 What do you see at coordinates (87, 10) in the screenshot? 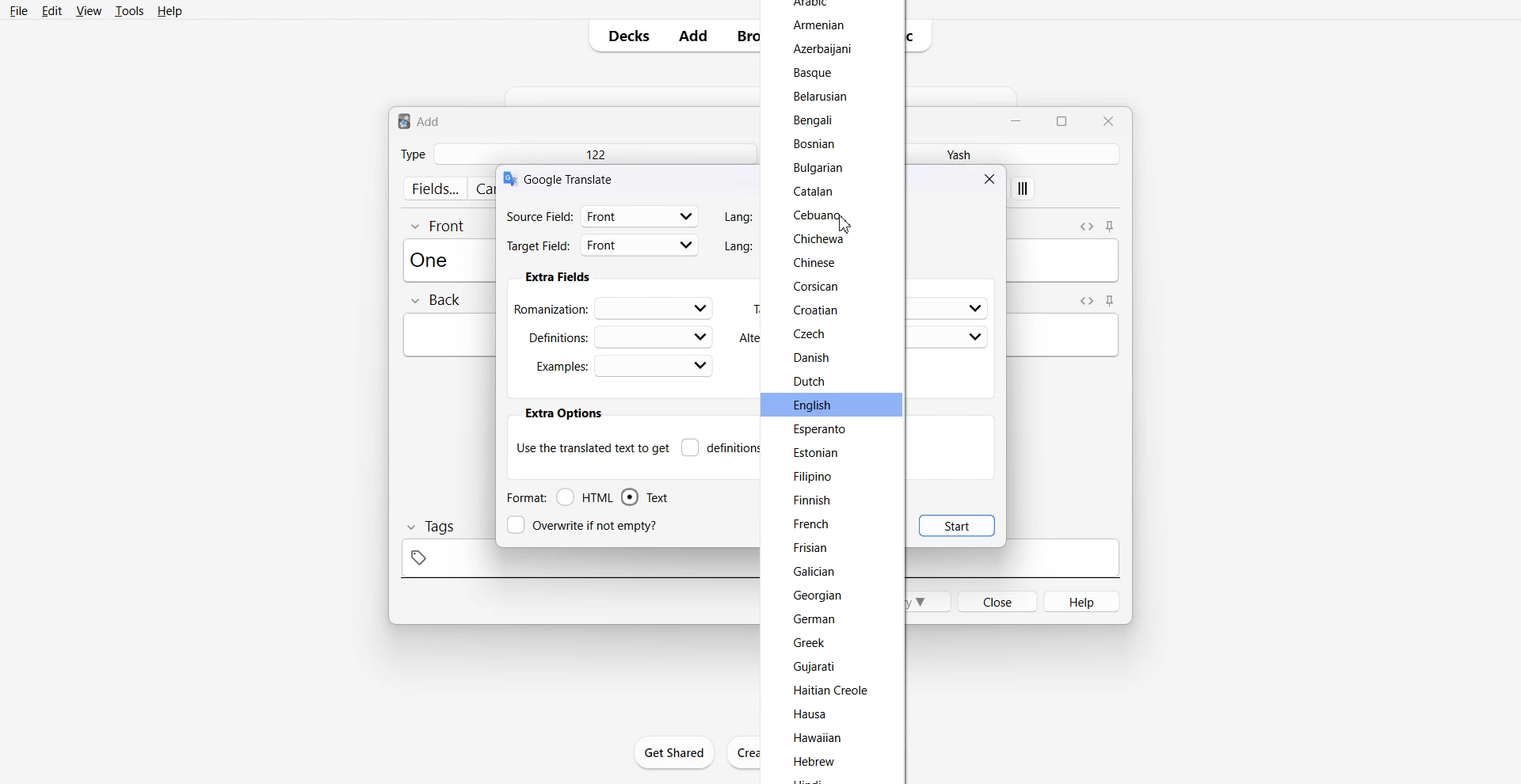
I see `View` at bounding box center [87, 10].